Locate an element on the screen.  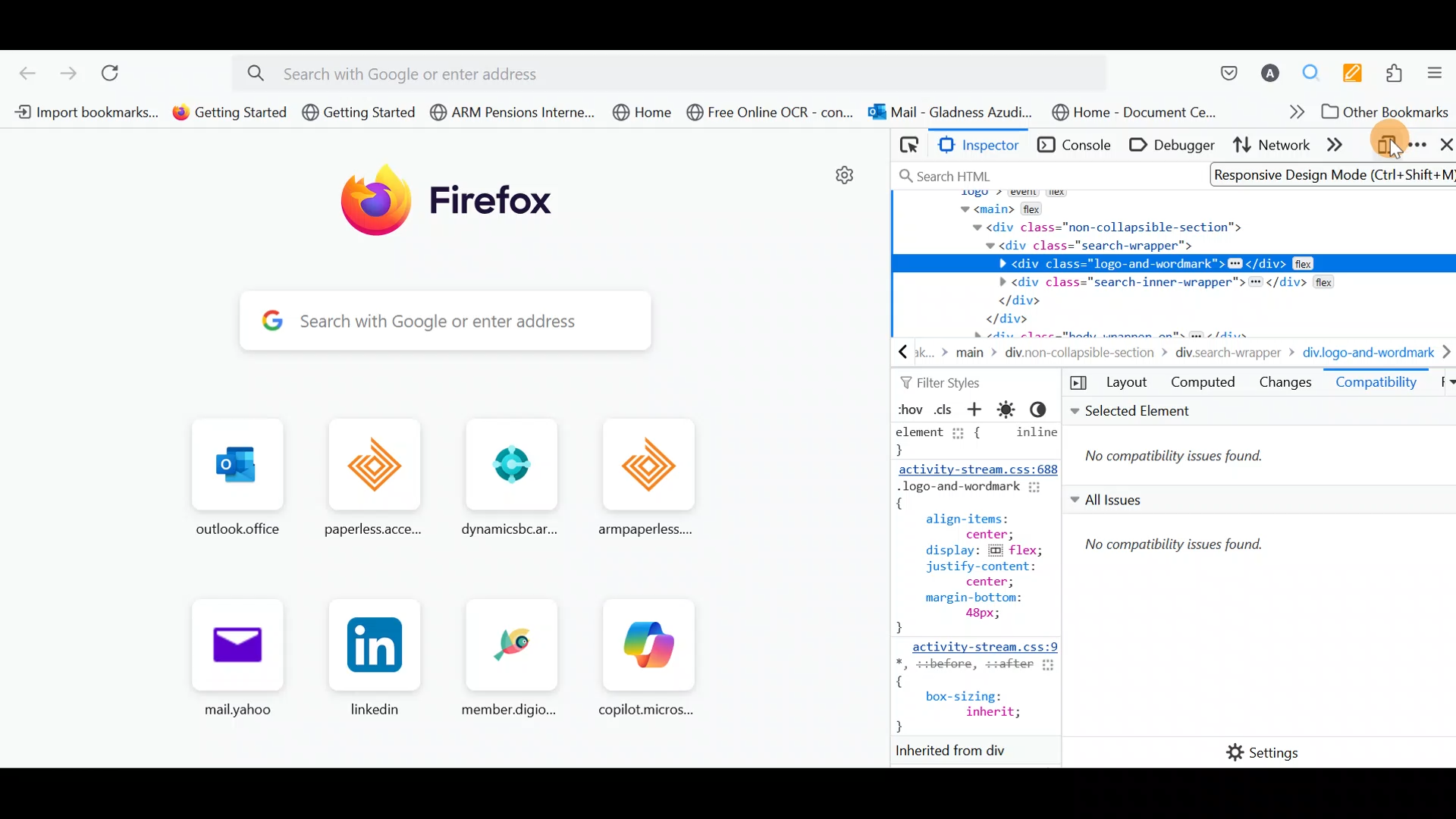
 is located at coordinates (1173, 353).